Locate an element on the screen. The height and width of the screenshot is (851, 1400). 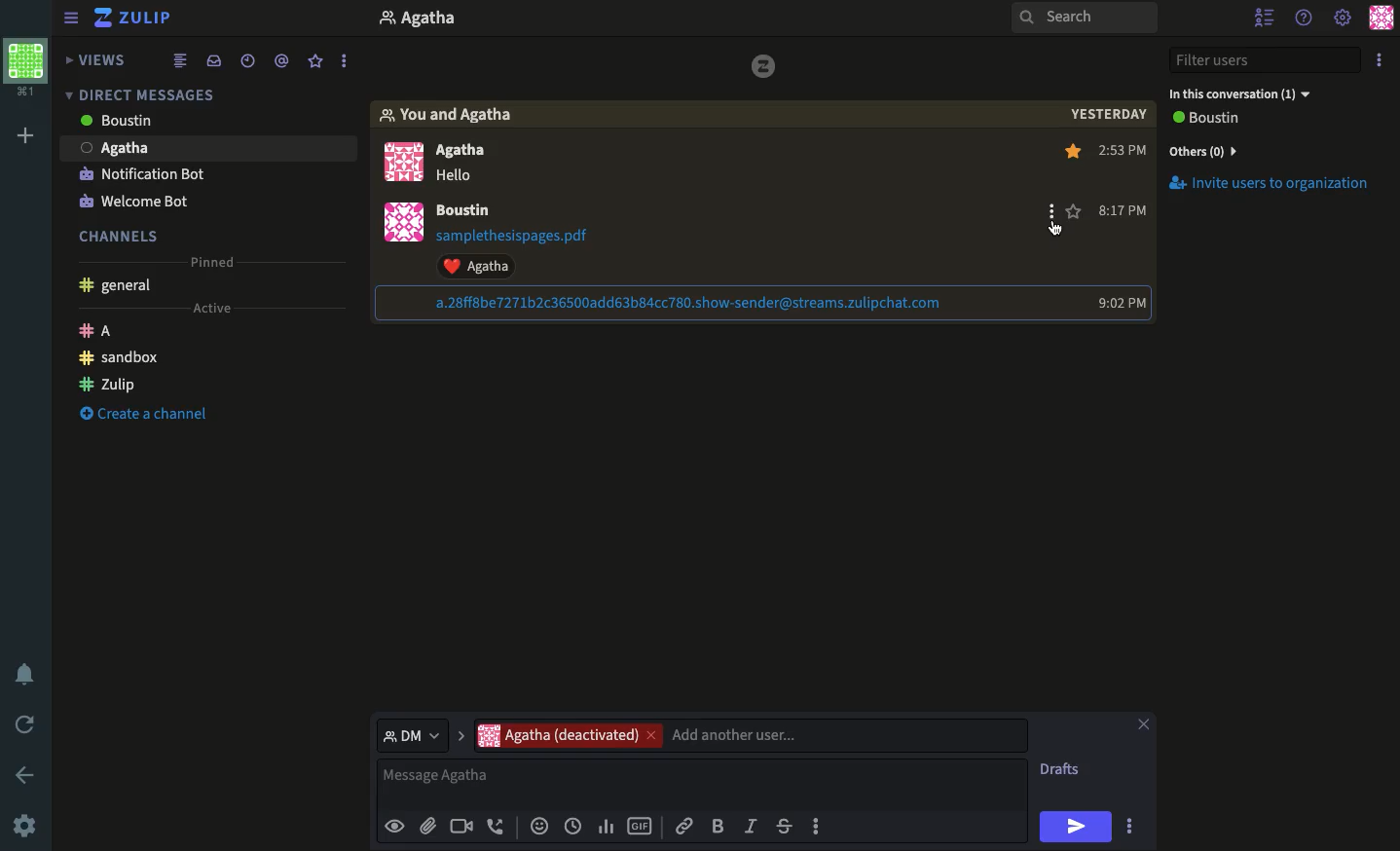
Settings is located at coordinates (1344, 16).